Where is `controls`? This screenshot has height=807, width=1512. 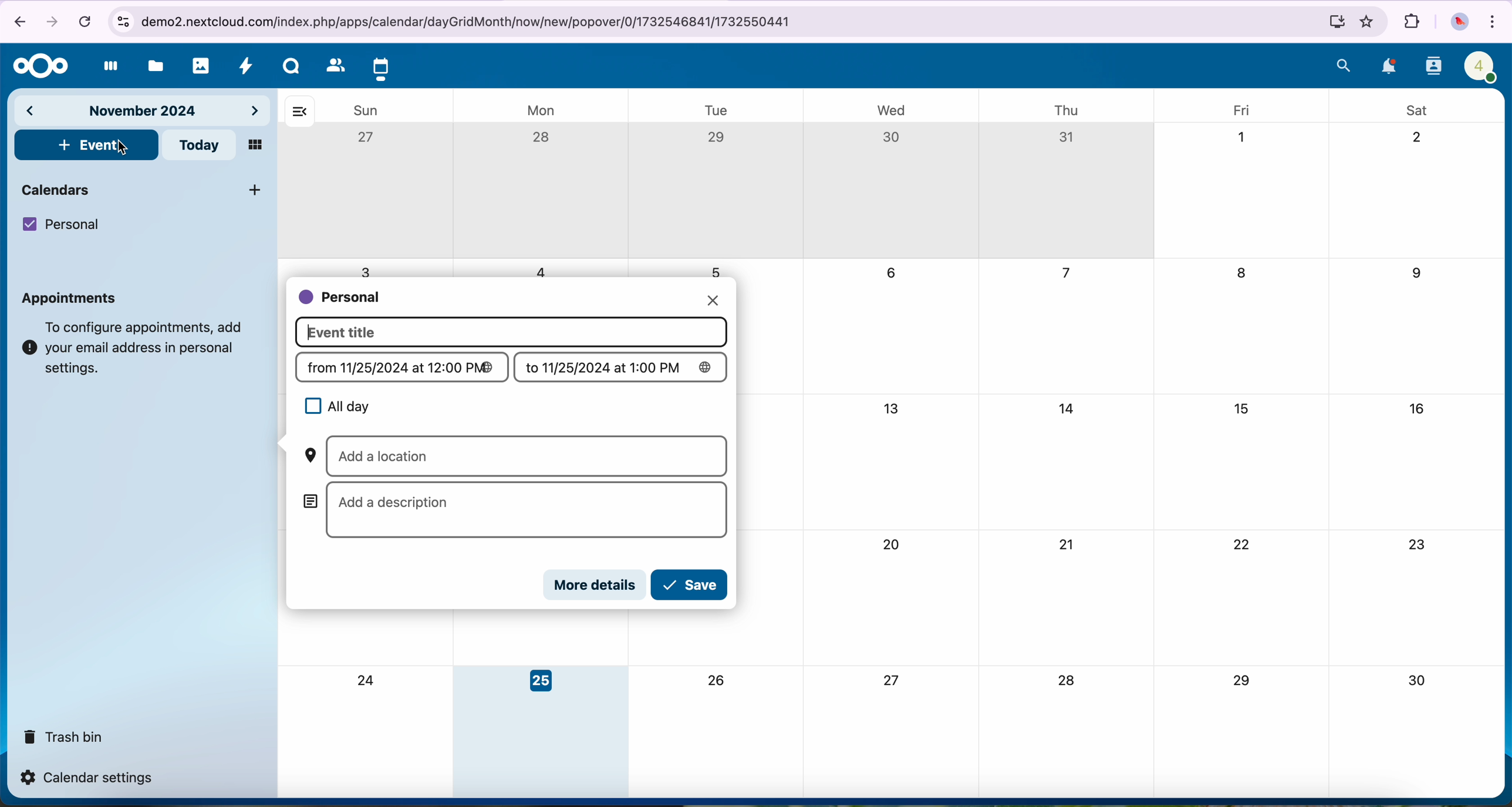 controls is located at coordinates (122, 22).